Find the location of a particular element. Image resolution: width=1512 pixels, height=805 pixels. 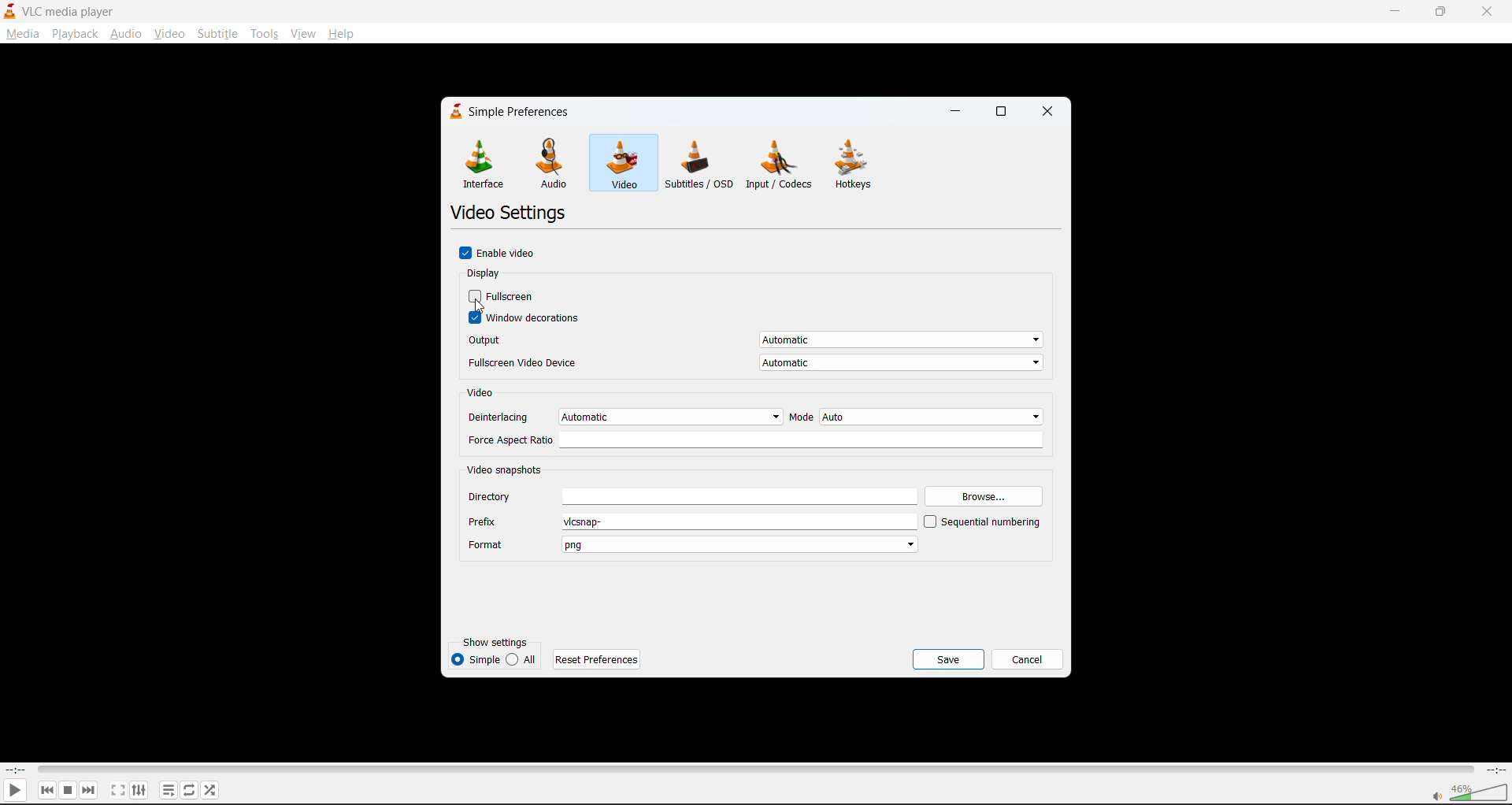

deinterlacing is located at coordinates (623, 416).